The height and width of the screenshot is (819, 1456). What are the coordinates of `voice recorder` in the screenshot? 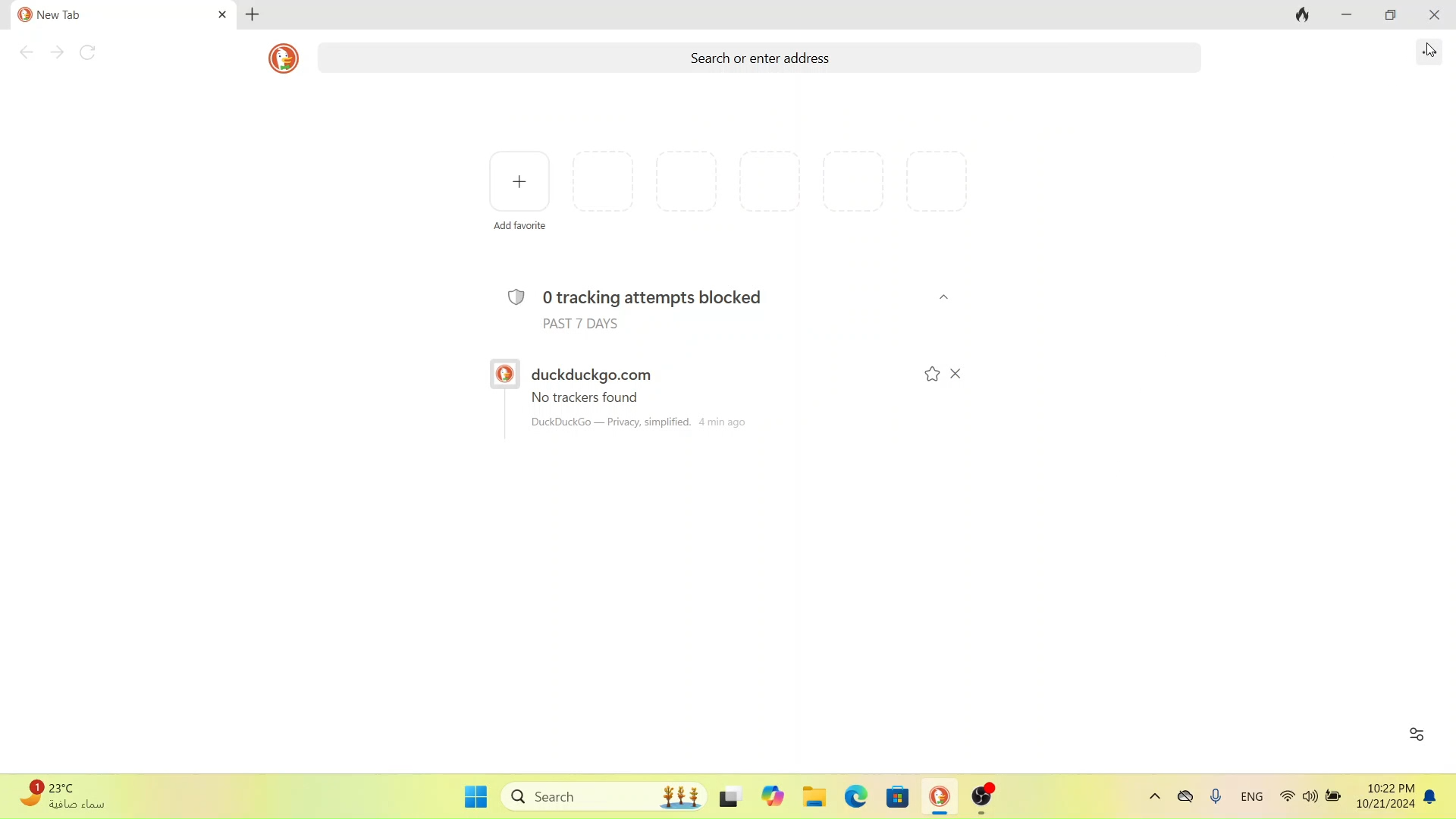 It's located at (1219, 802).